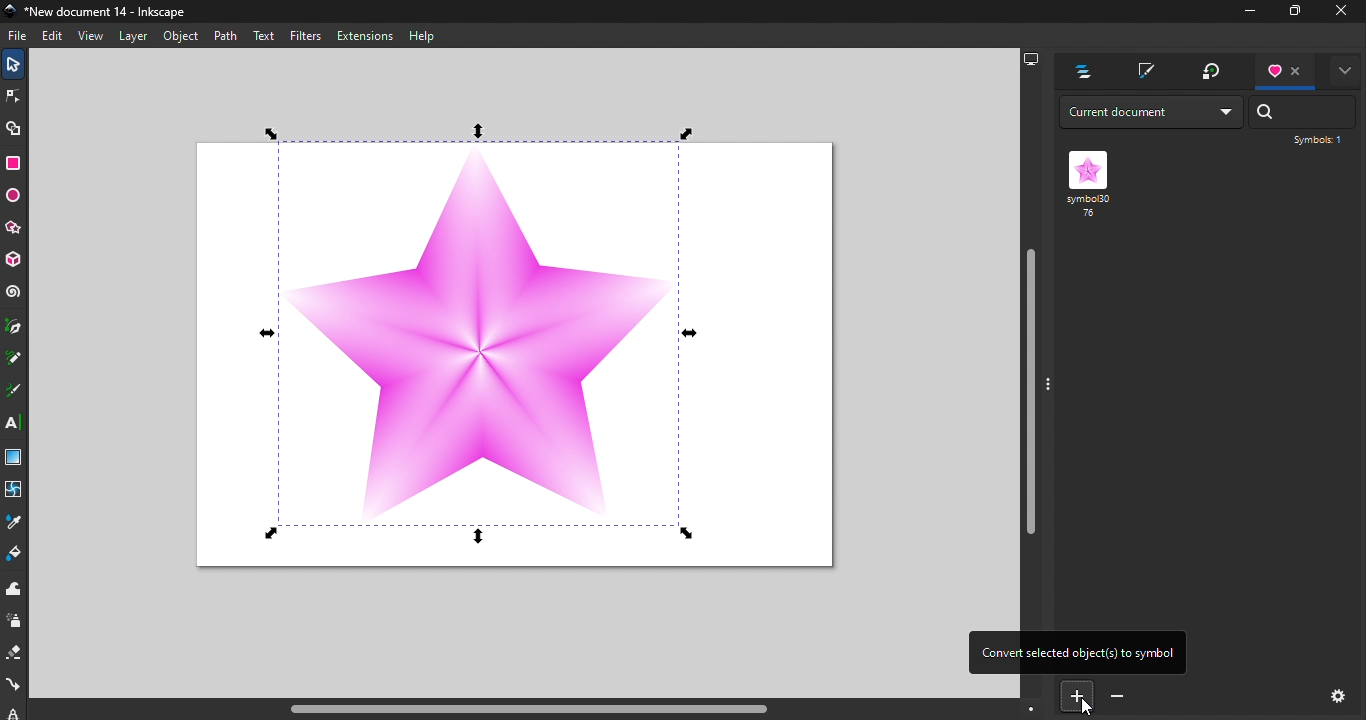 Image resolution: width=1366 pixels, height=720 pixels. What do you see at coordinates (1329, 694) in the screenshot?
I see `Settings` at bounding box center [1329, 694].